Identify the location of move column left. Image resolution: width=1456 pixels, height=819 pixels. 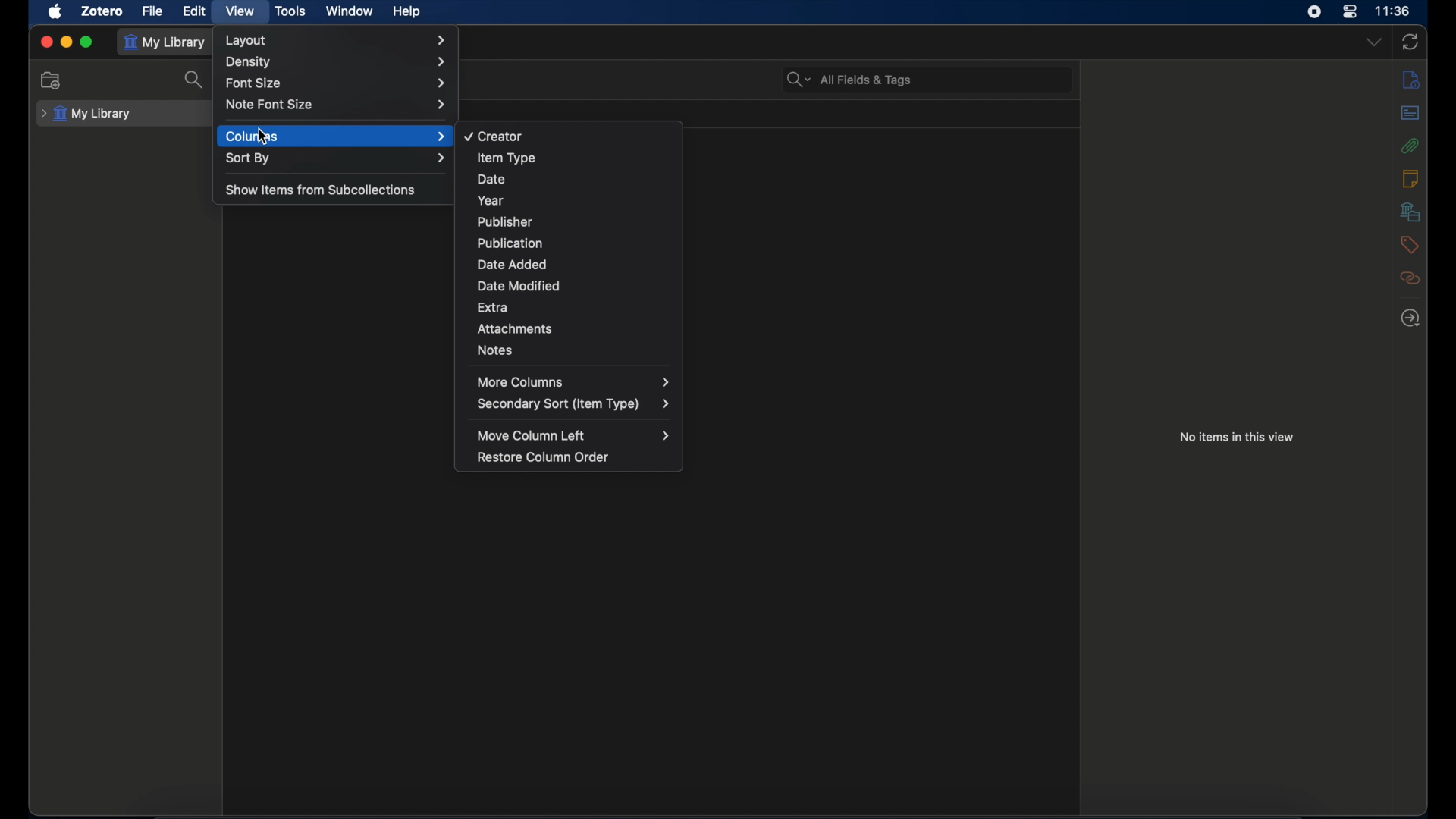
(575, 435).